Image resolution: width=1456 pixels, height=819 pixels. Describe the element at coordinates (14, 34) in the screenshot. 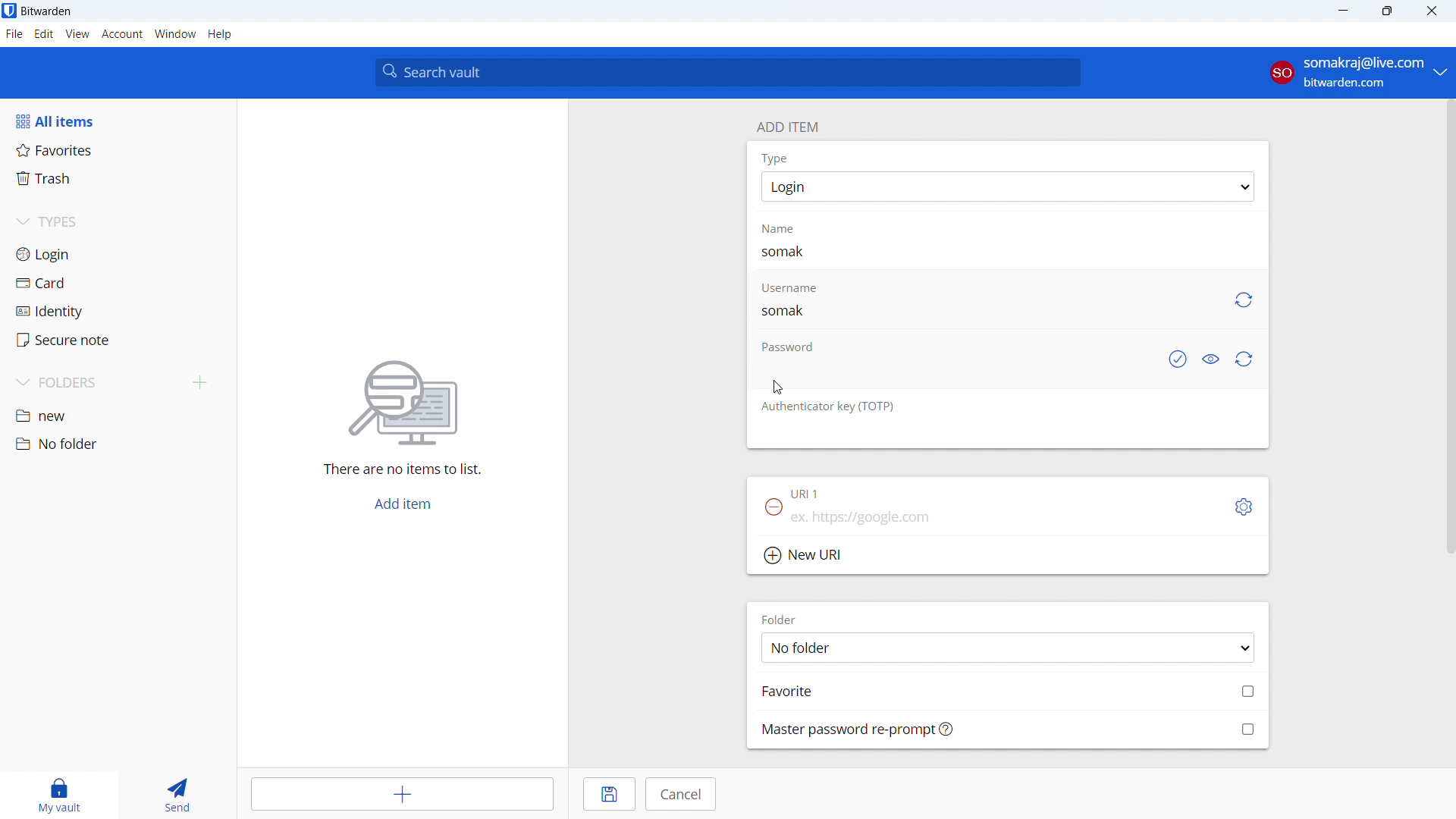

I see `file` at that location.